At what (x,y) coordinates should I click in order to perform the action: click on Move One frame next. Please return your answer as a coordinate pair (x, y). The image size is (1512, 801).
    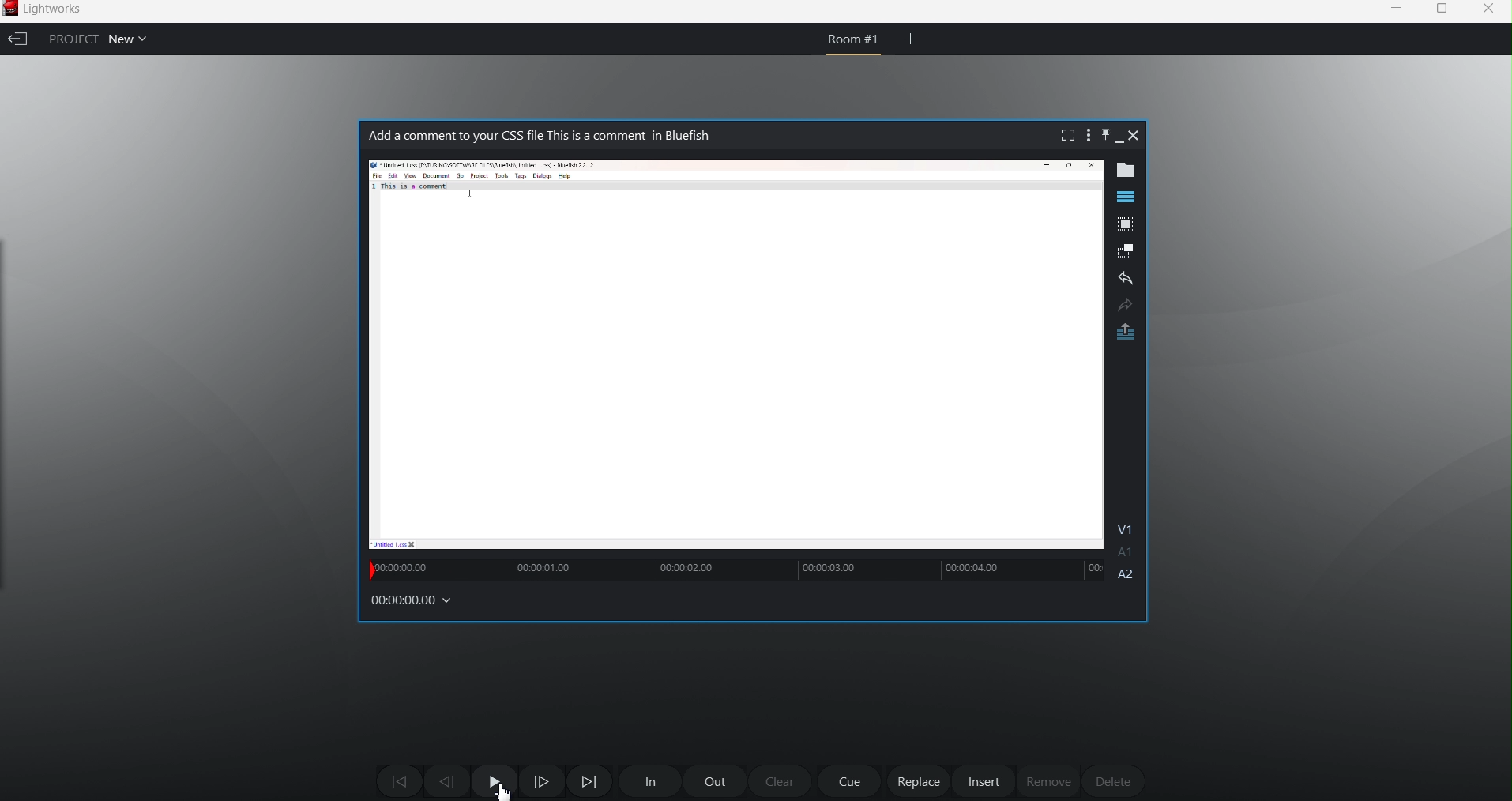
    Looking at the image, I should click on (546, 784).